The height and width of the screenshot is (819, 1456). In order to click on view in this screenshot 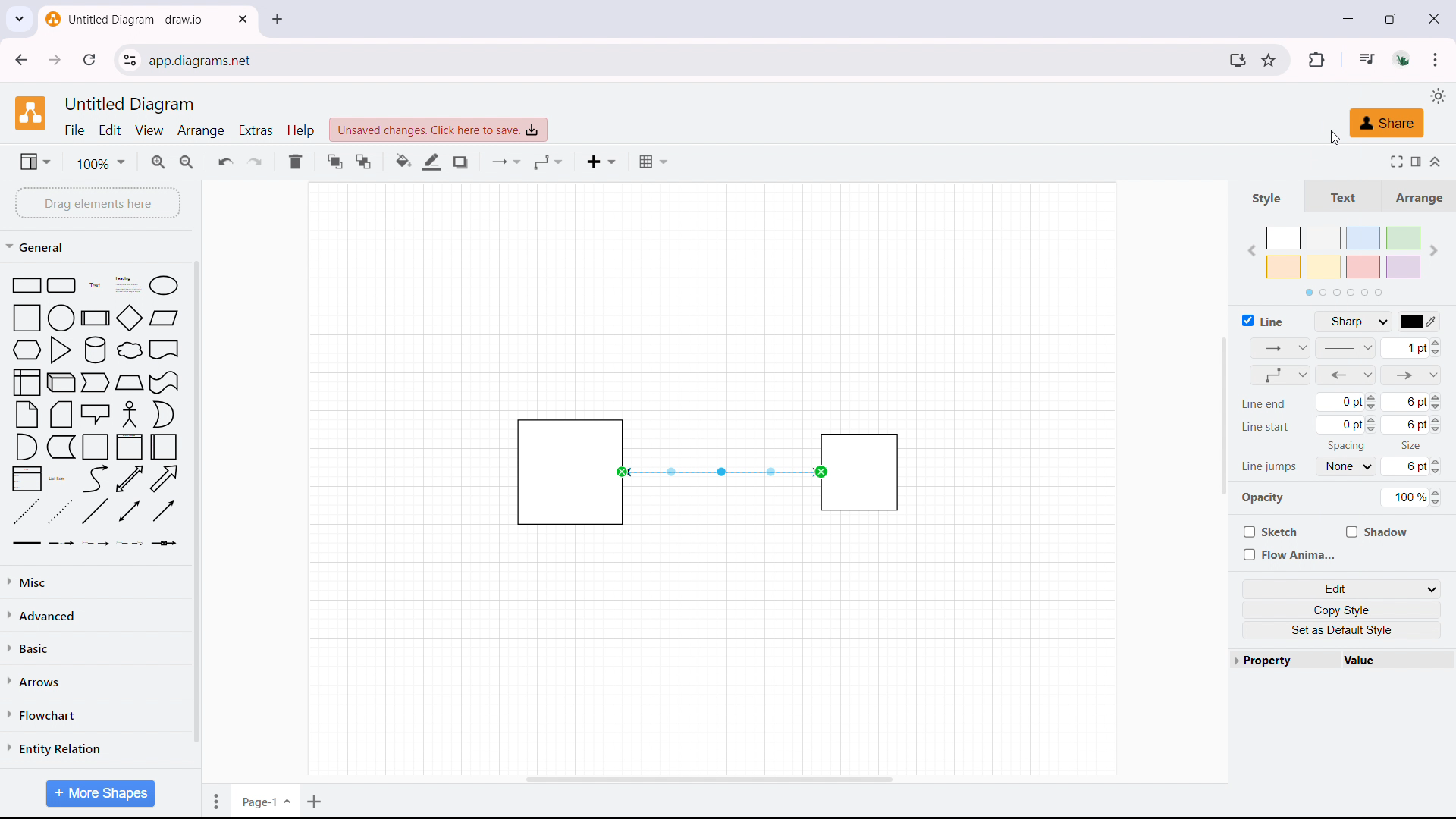, I will do `click(150, 131)`.